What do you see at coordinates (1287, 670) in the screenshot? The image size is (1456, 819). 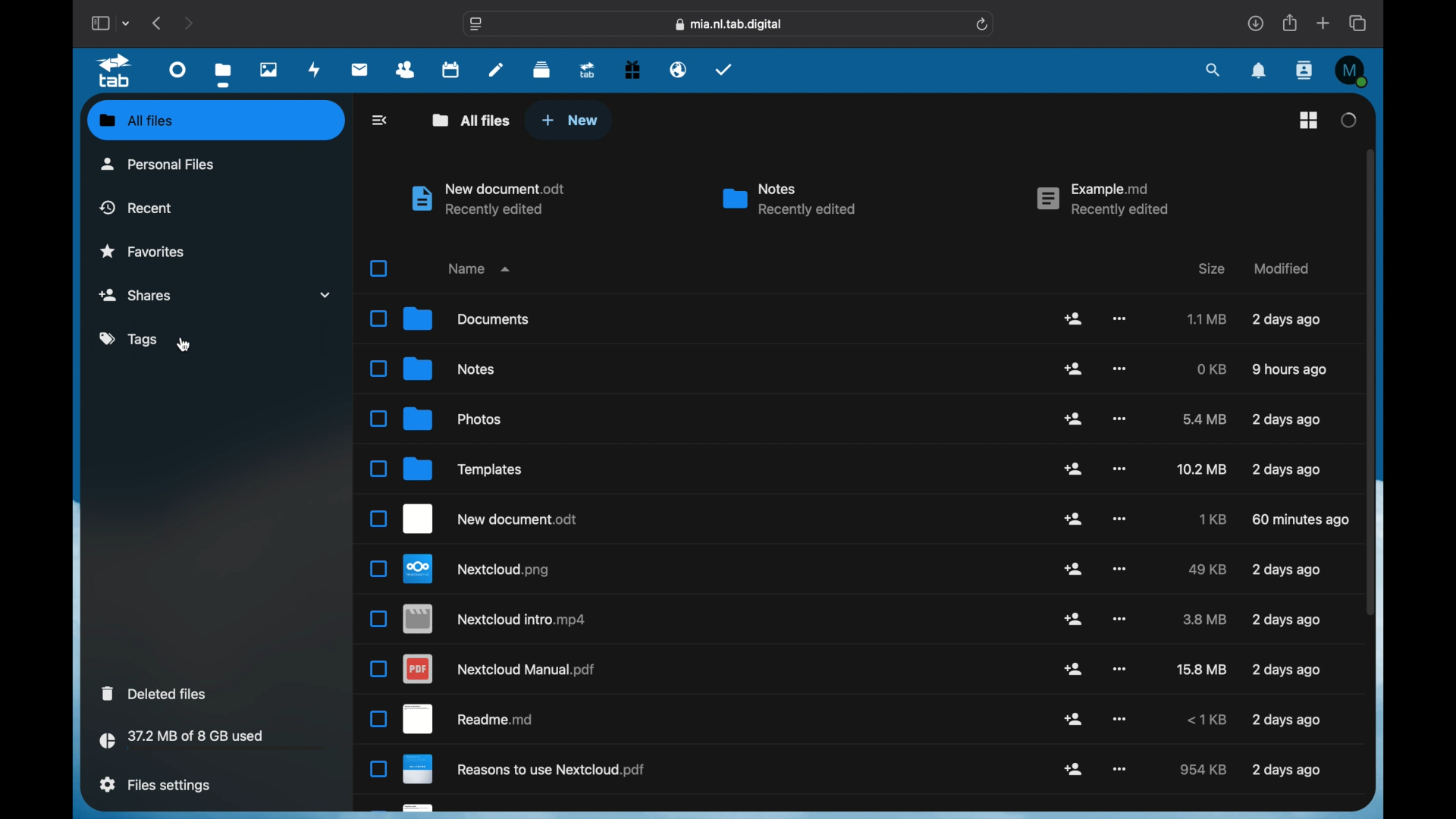 I see `modified` at bounding box center [1287, 670].